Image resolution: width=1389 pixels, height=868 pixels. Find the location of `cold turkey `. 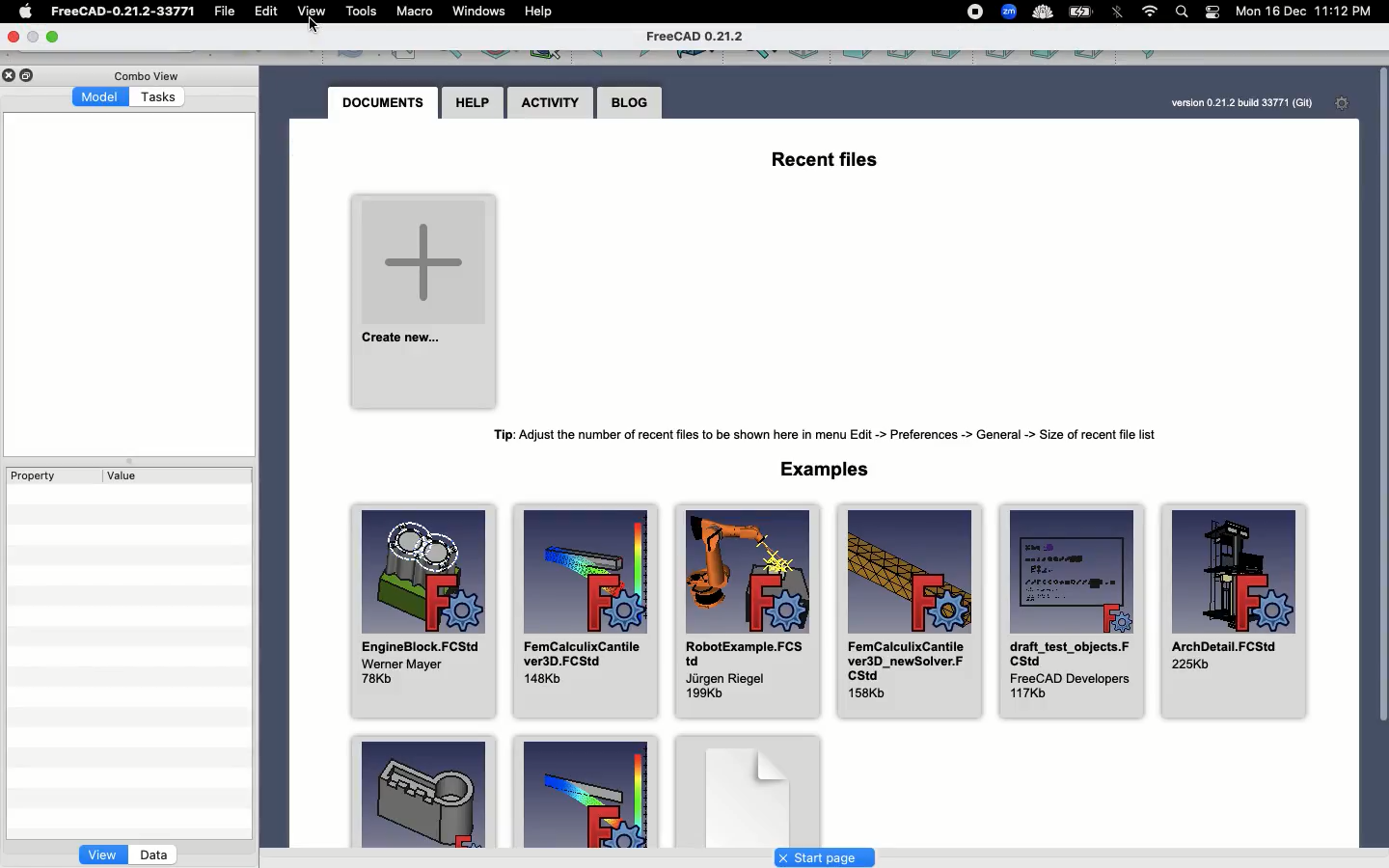

cold turkey  is located at coordinates (1042, 12).